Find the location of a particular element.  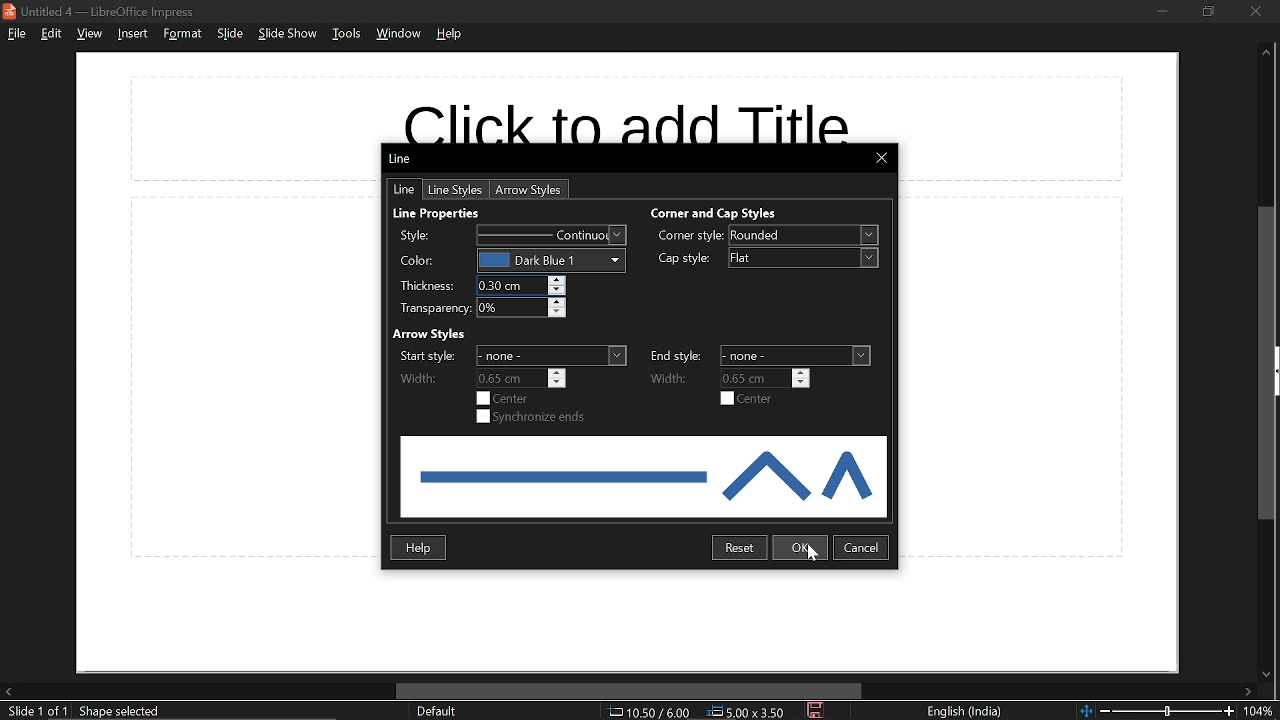

line is located at coordinates (400, 189).